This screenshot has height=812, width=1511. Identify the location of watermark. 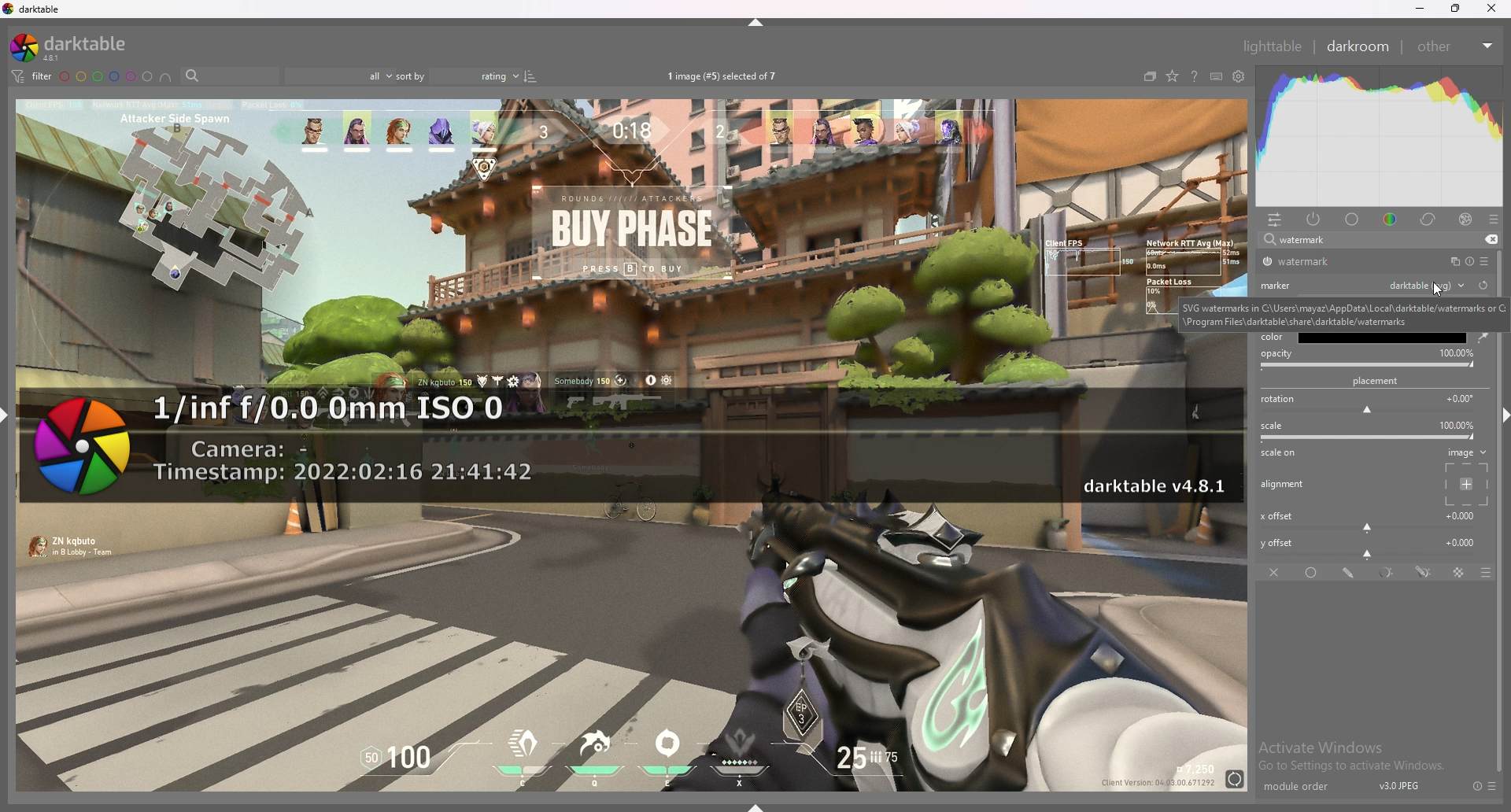
(630, 447).